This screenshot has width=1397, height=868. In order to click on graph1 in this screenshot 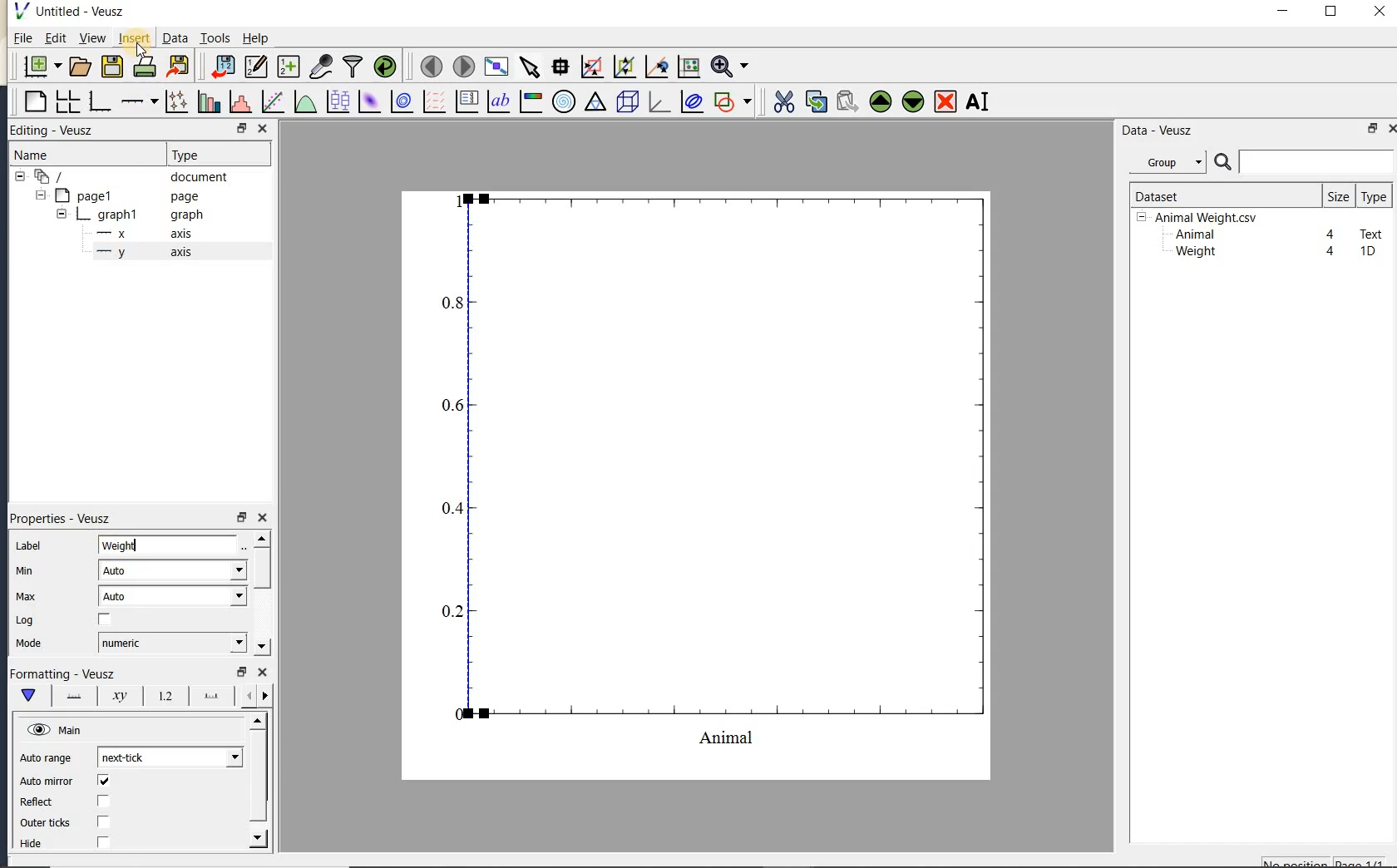, I will do `click(122, 216)`.